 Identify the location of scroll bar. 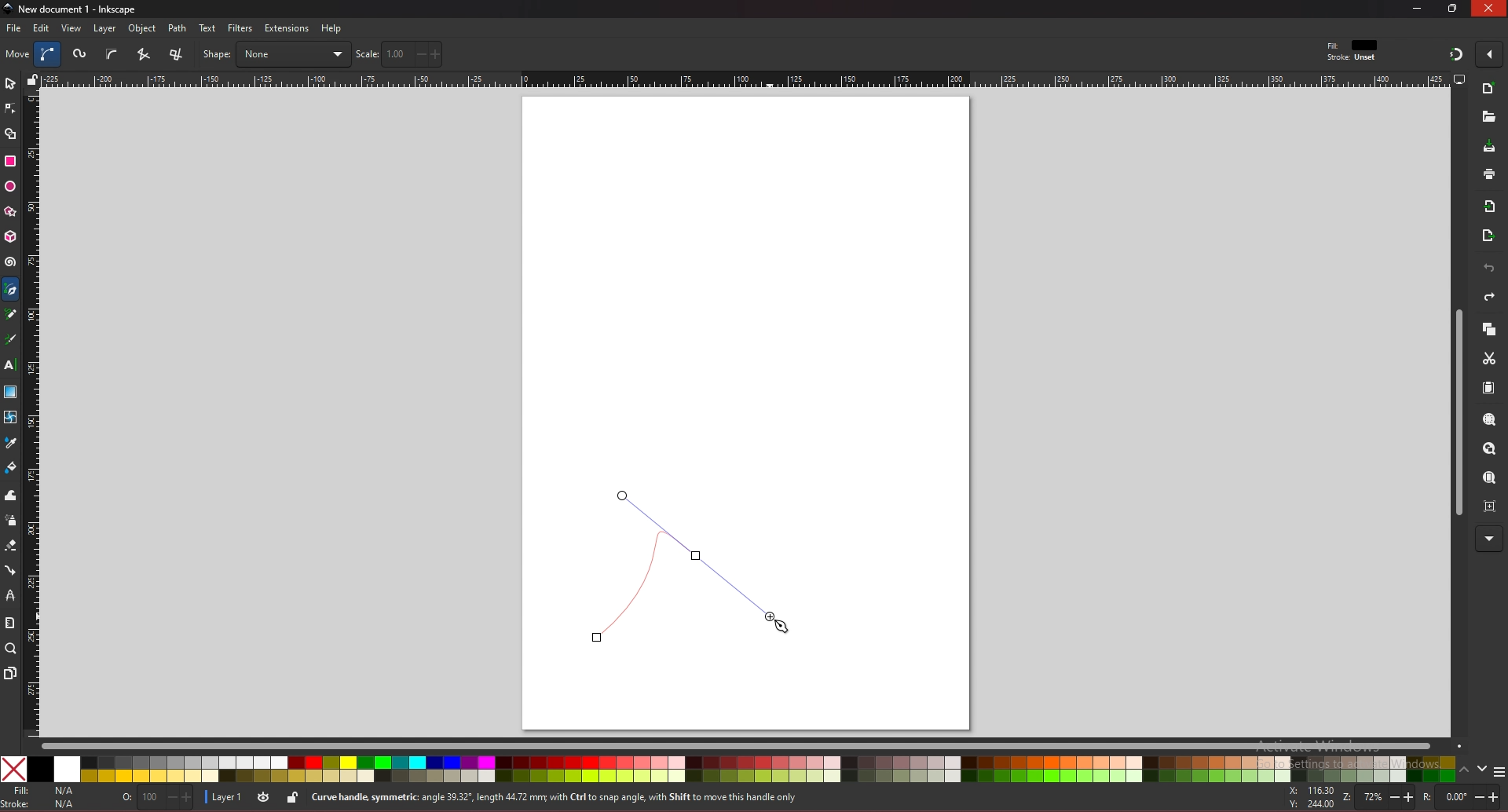
(1456, 413).